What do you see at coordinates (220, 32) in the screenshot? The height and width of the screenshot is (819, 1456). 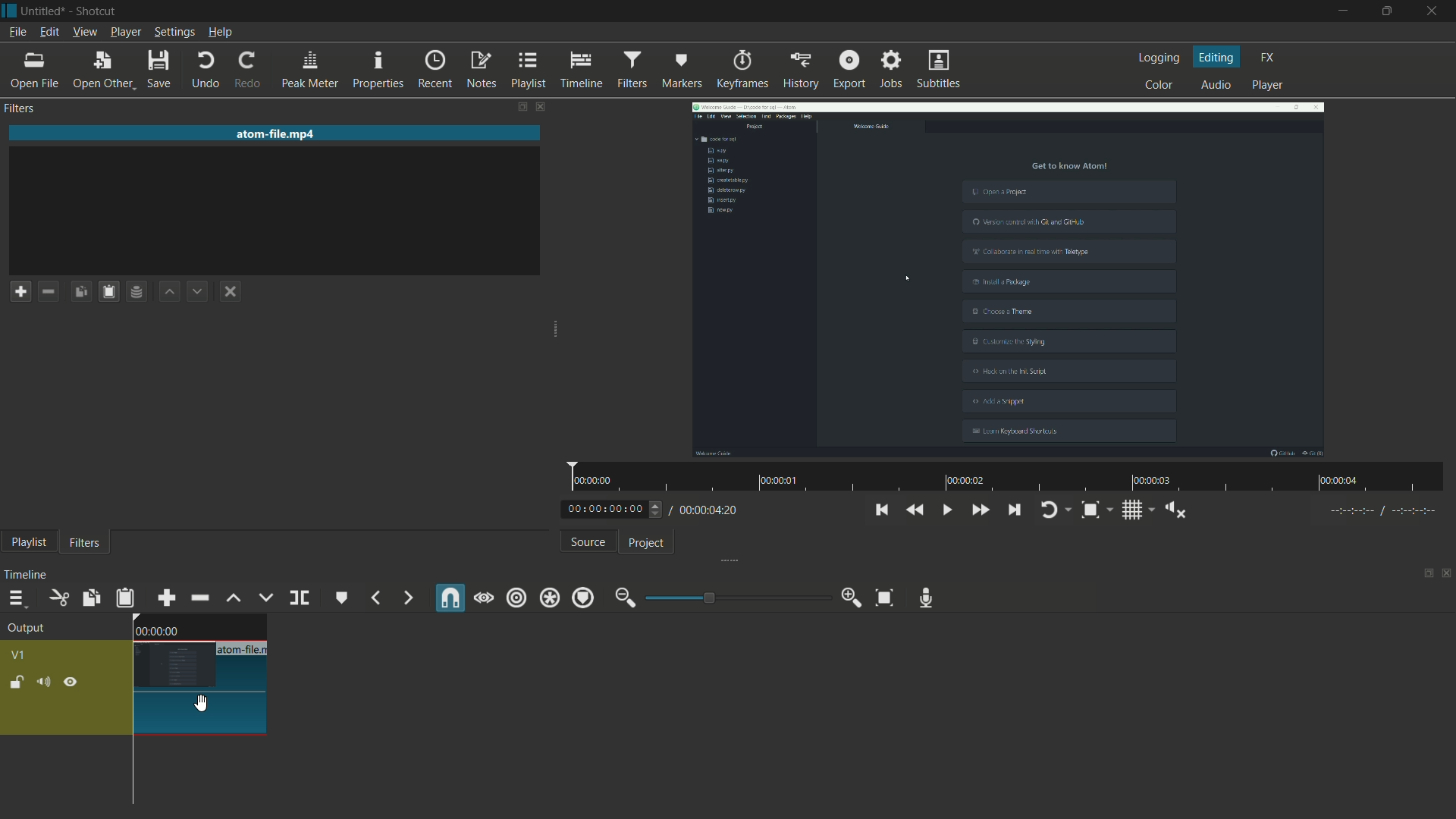 I see `help menu` at bounding box center [220, 32].